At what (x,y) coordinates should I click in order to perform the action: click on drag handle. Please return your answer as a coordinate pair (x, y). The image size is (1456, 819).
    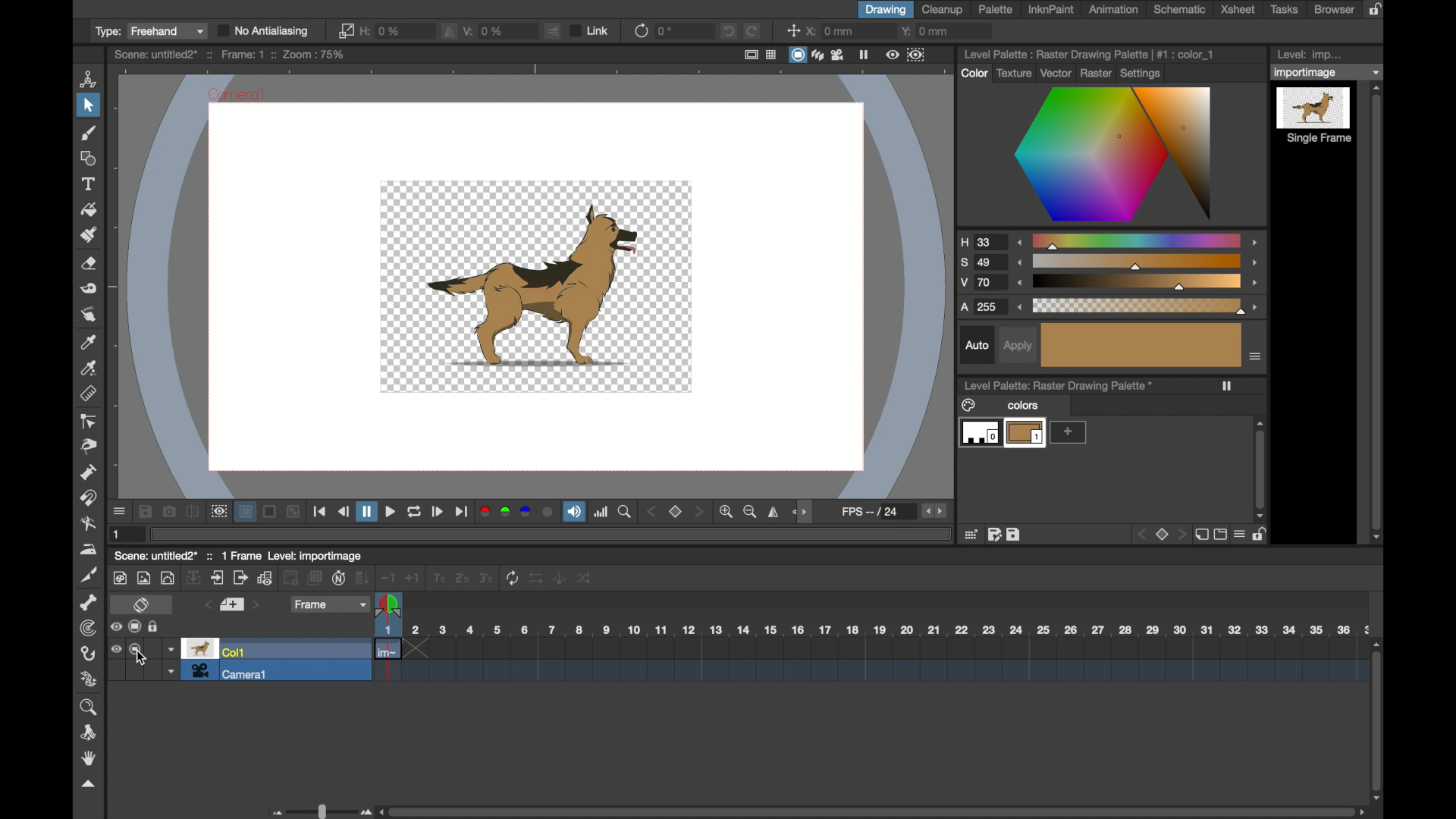
    Looking at the image, I should click on (88, 785).